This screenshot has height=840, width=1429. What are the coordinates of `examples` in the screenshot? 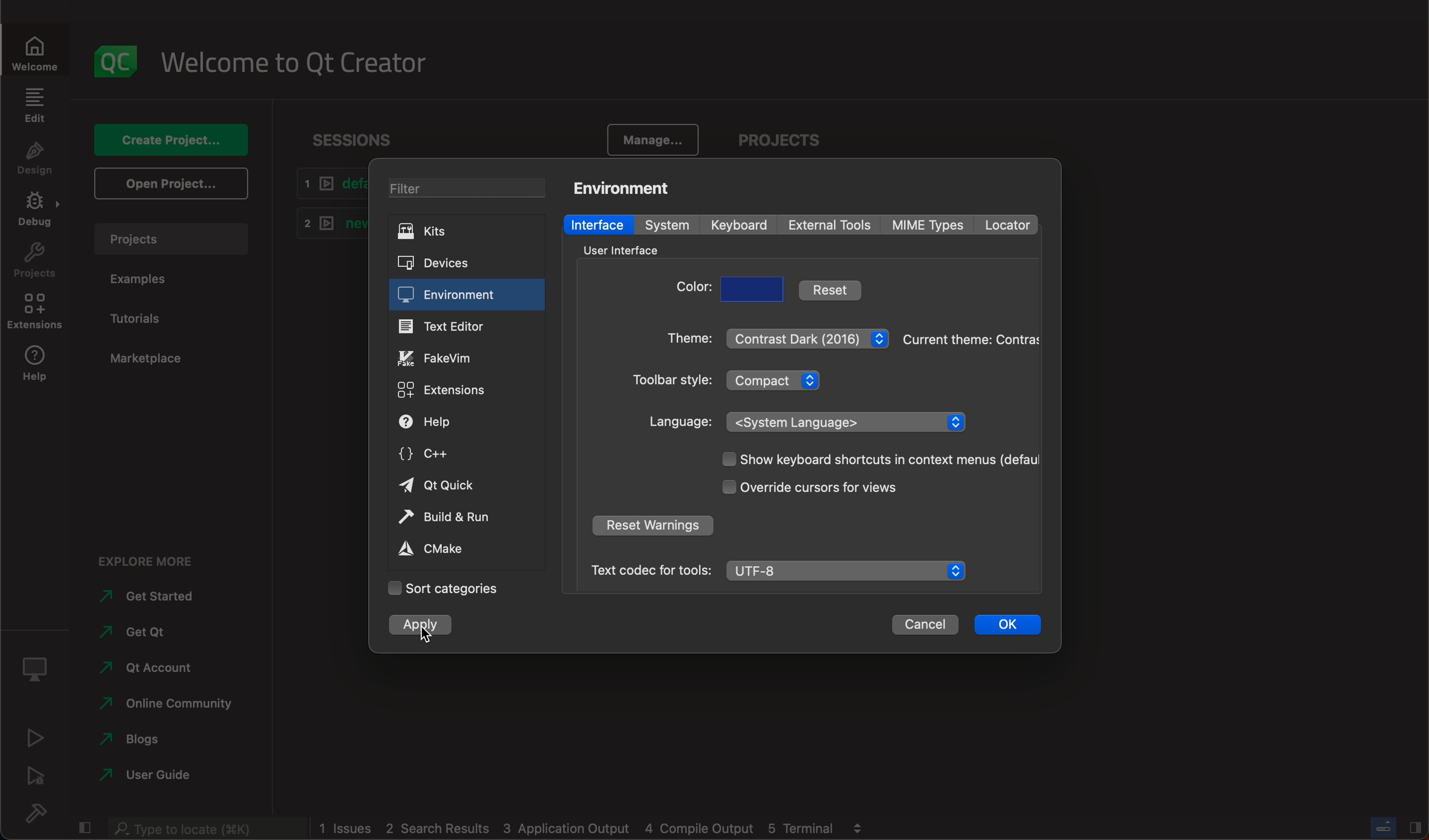 It's located at (149, 281).